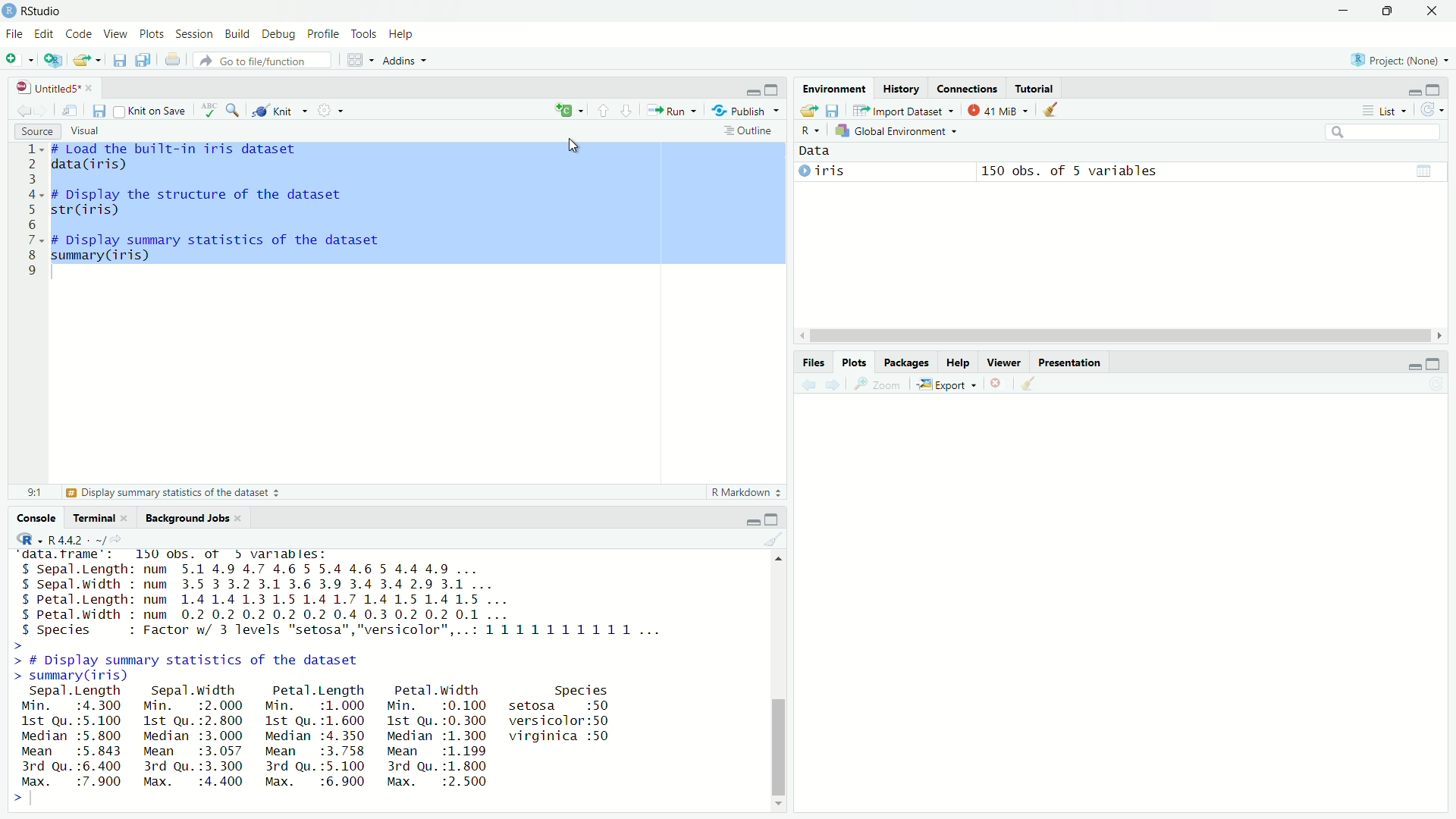  I want to click on Save current file, so click(119, 61).